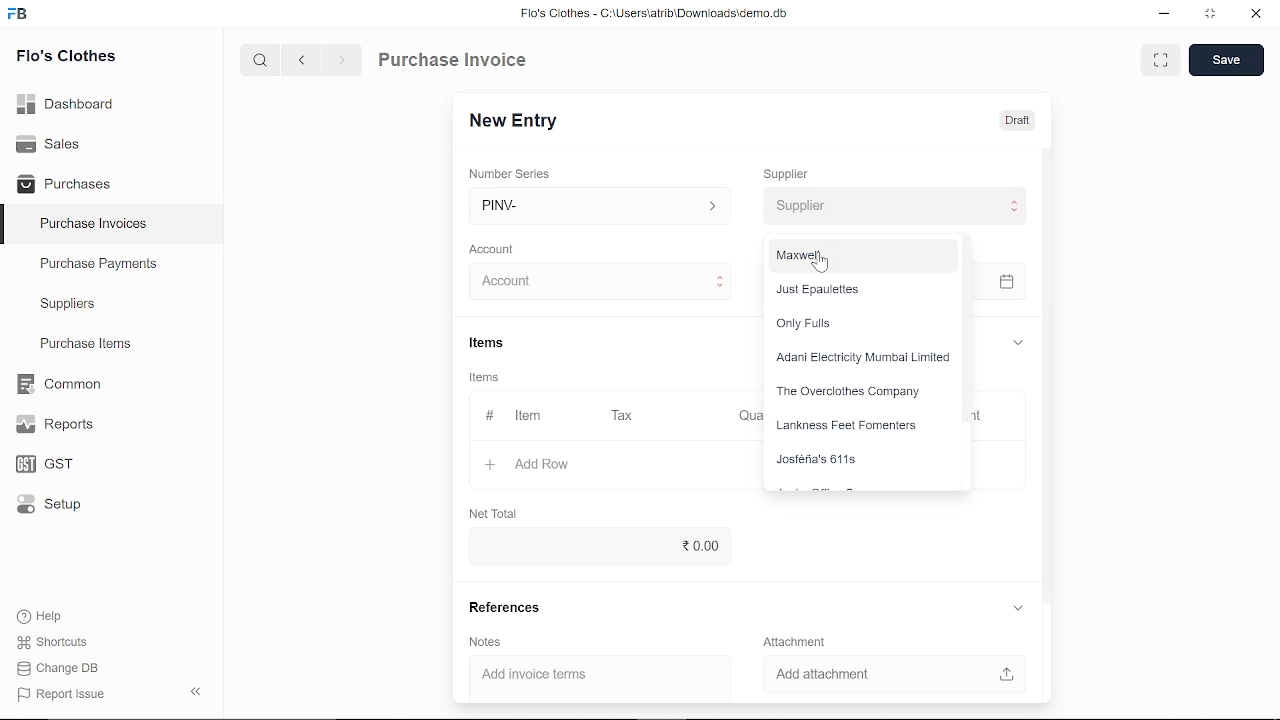 The image size is (1280, 720). Describe the element at coordinates (857, 462) in the screenshot. I see `Josféfia's 611s.` at that location.